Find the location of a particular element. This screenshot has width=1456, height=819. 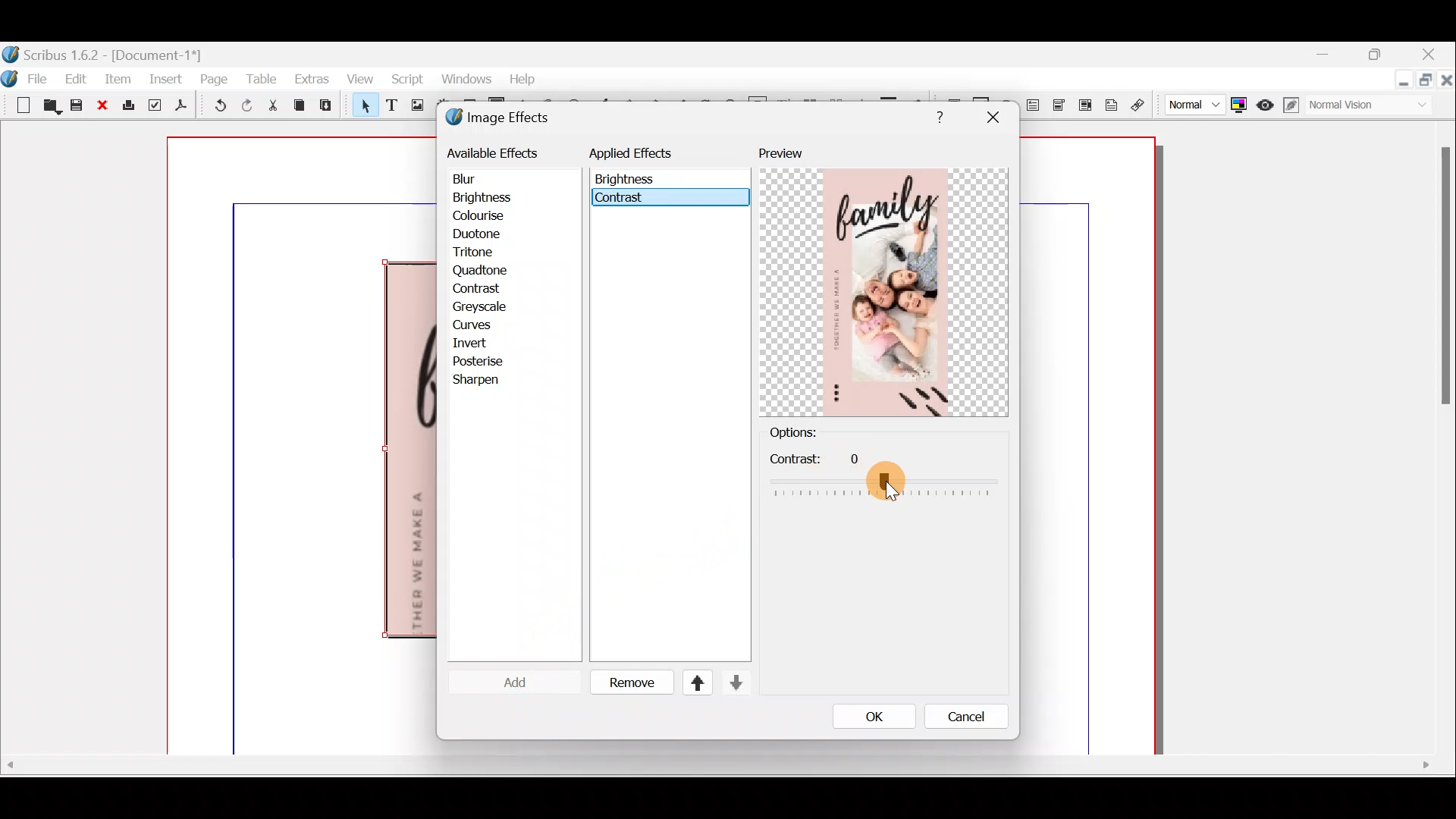

Duotone is located at coordinates (480, 236).